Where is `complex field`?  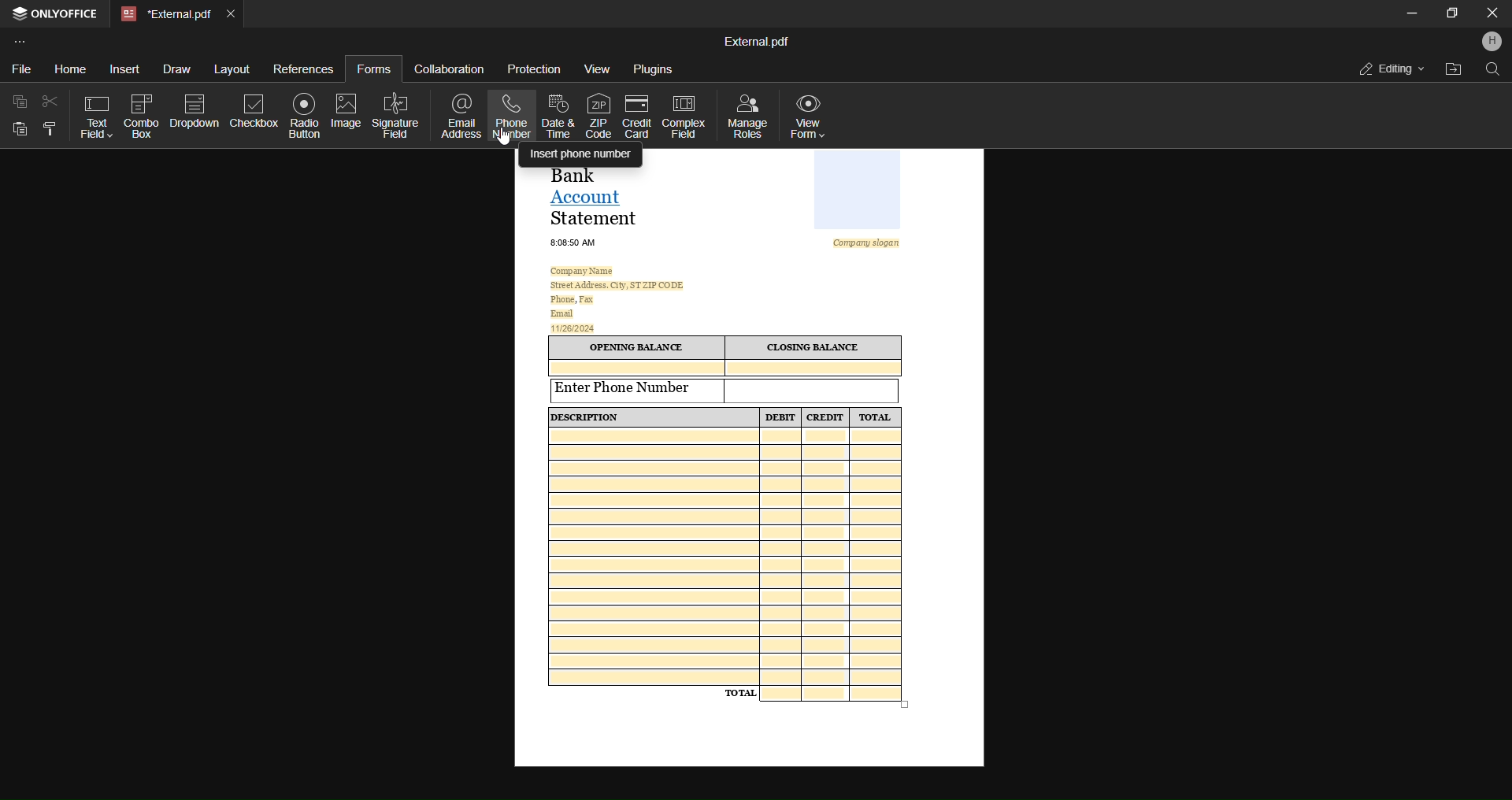 complex field is located at coordinates (686, 117).